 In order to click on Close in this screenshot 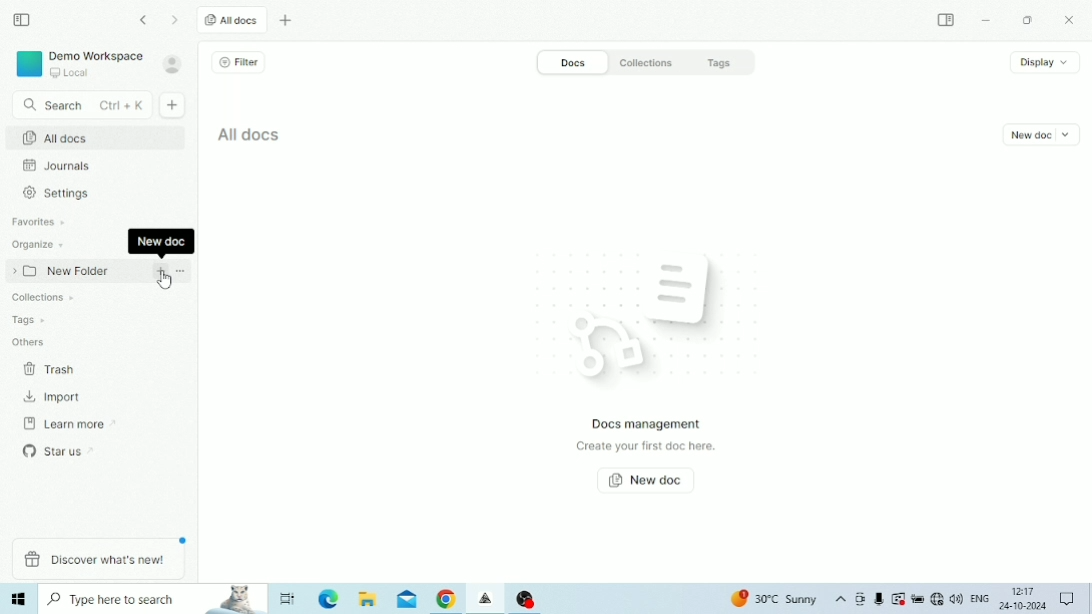, I will do `click(1072, 21)`.